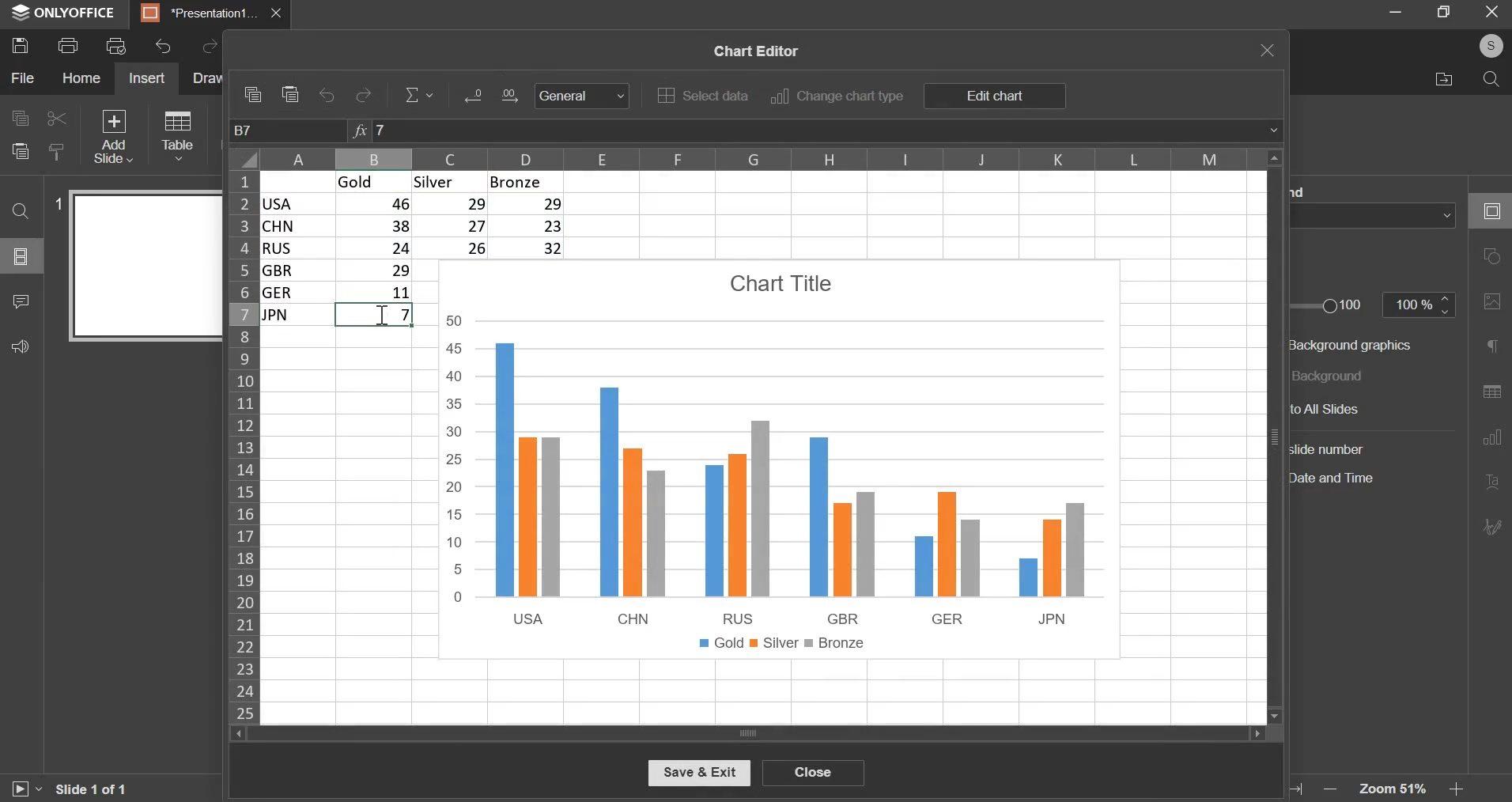 Image resolution: width=1512 pixels, height=802 pixels. What do you see at coordinates (1419, 305) in the screenshot?
I see `opacity` at bounding box center [1419, 305].